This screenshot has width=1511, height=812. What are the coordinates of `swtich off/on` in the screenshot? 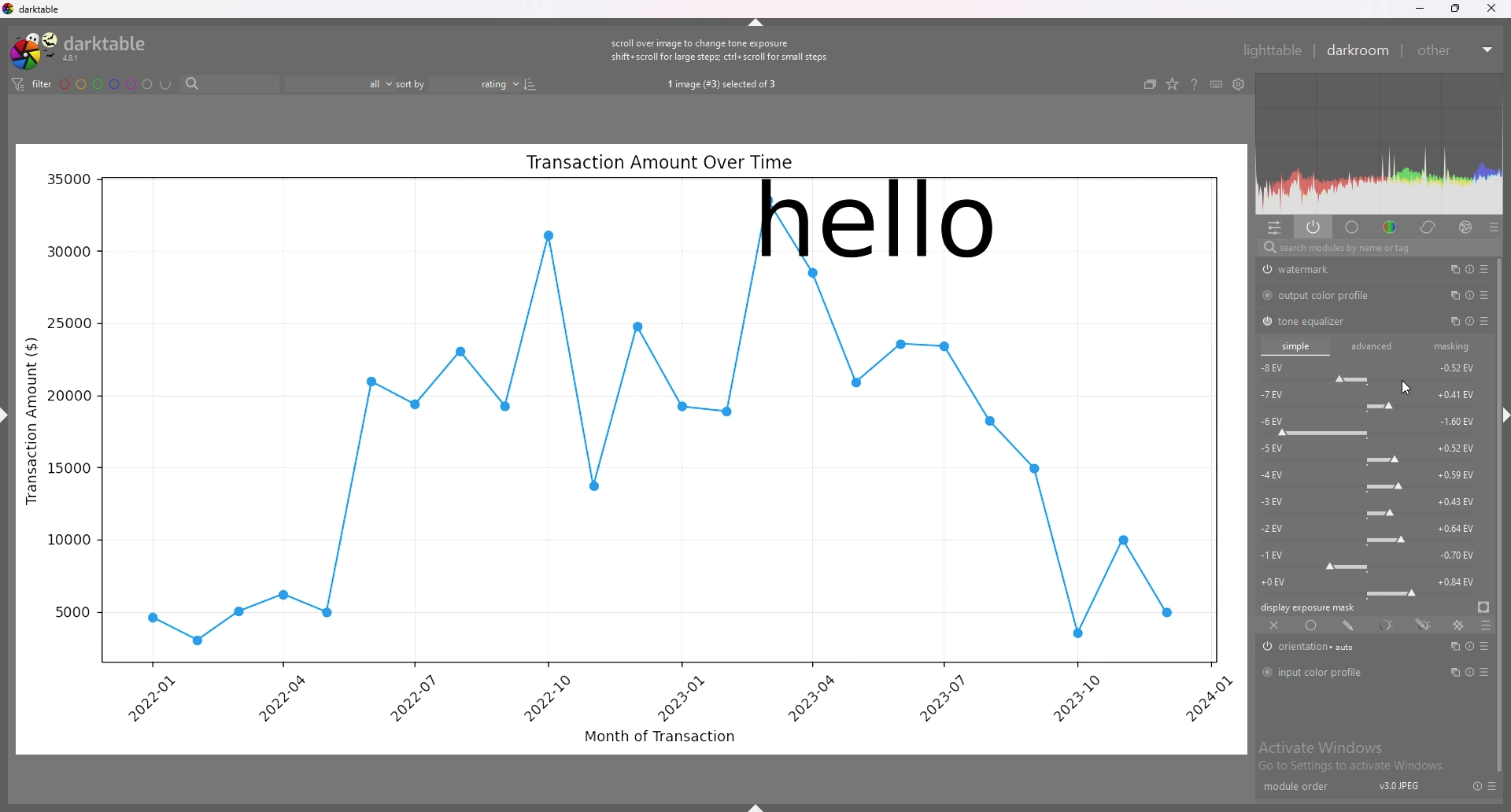 It's located at (1265, 269).